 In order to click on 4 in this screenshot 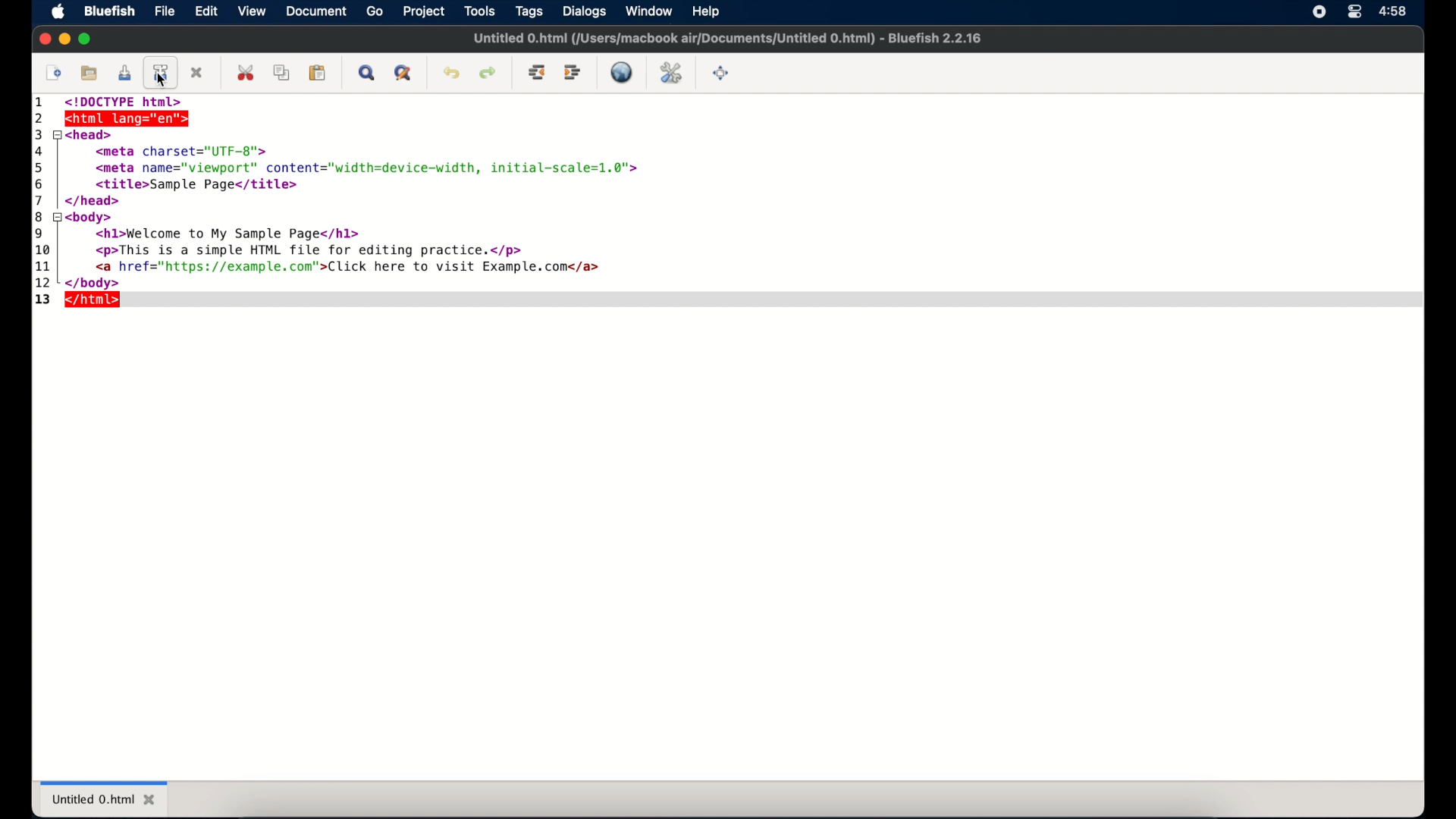, I will do `click(40, 150)`.